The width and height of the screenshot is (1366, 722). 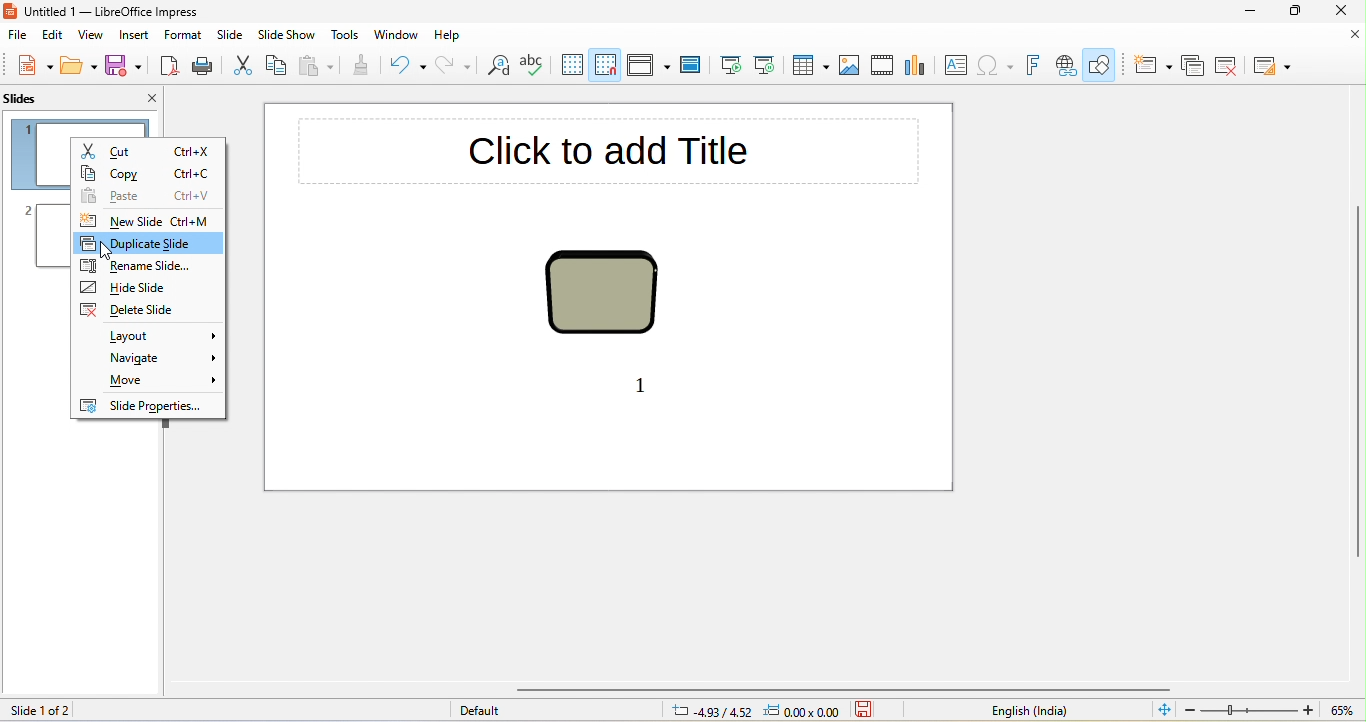 What do you see at coordinates (19, 36) in the screenshot?
I see `file` at bounding box center [19, 36].